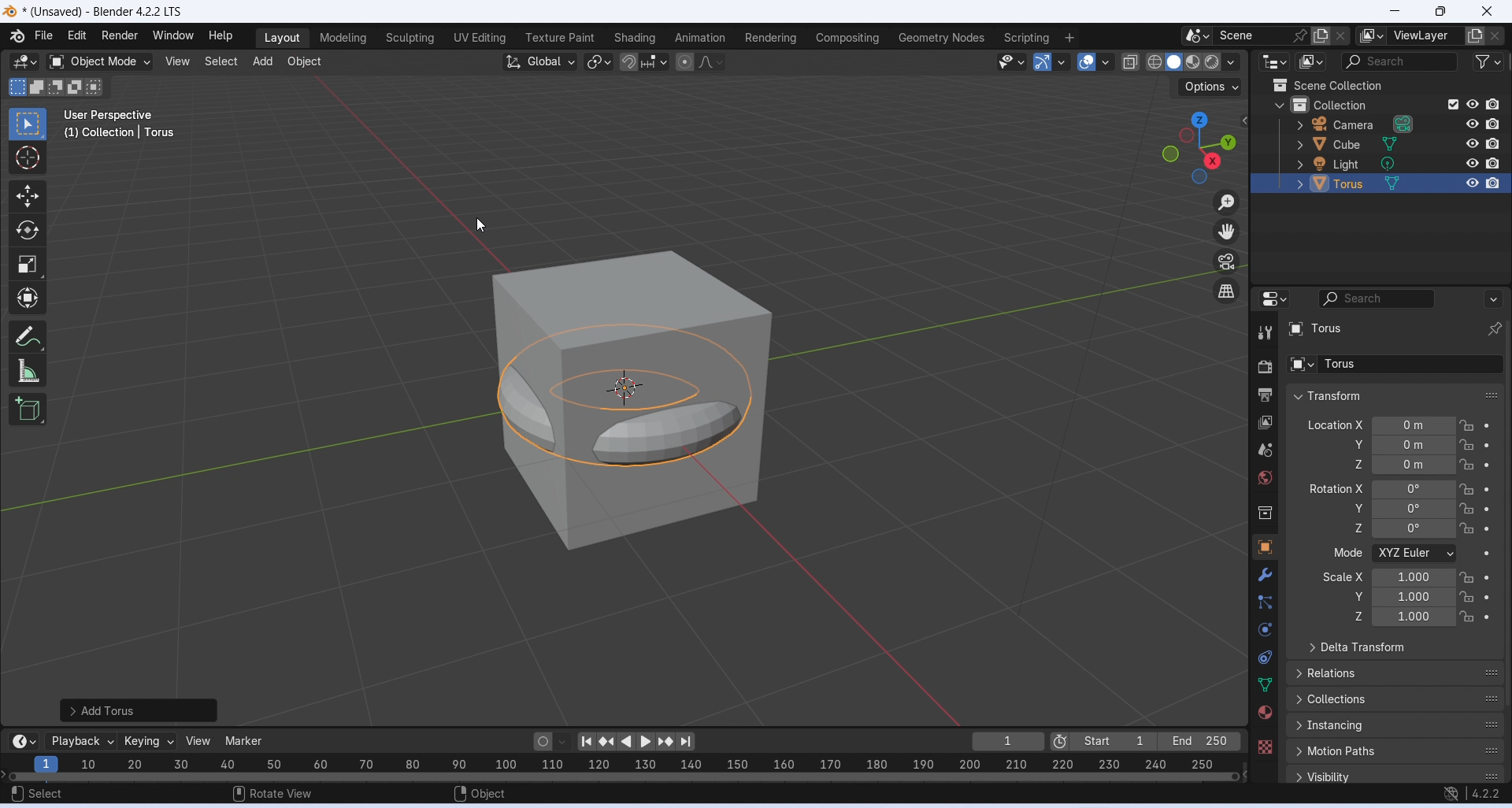 The width and height of the screenshot is (1512, 808). What do you see at coordinates (139, 710) in the screenshot?
I see `add torus` at bounding box center [139, 710].